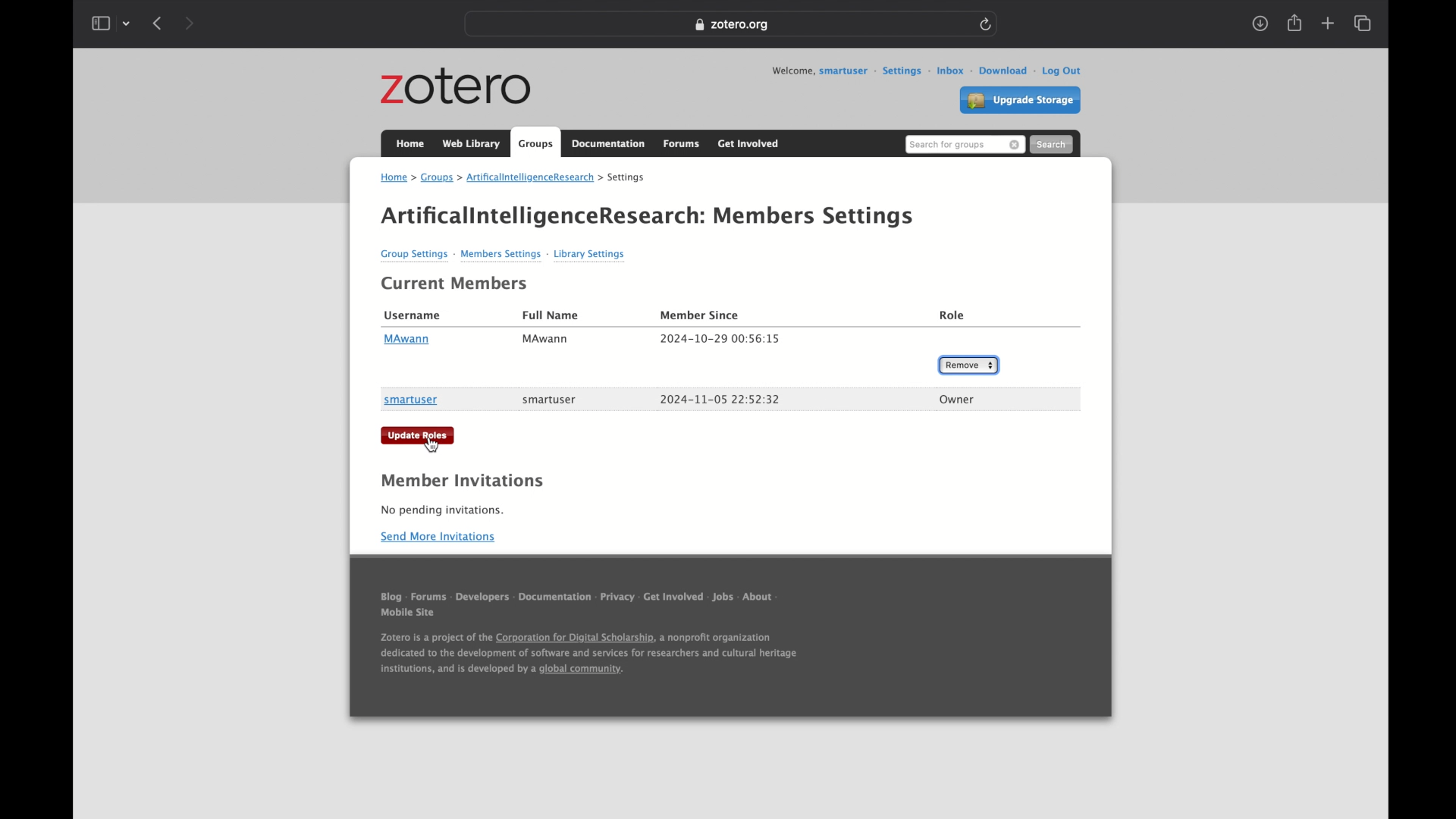  I want to click on footnote, so click(588, 657).